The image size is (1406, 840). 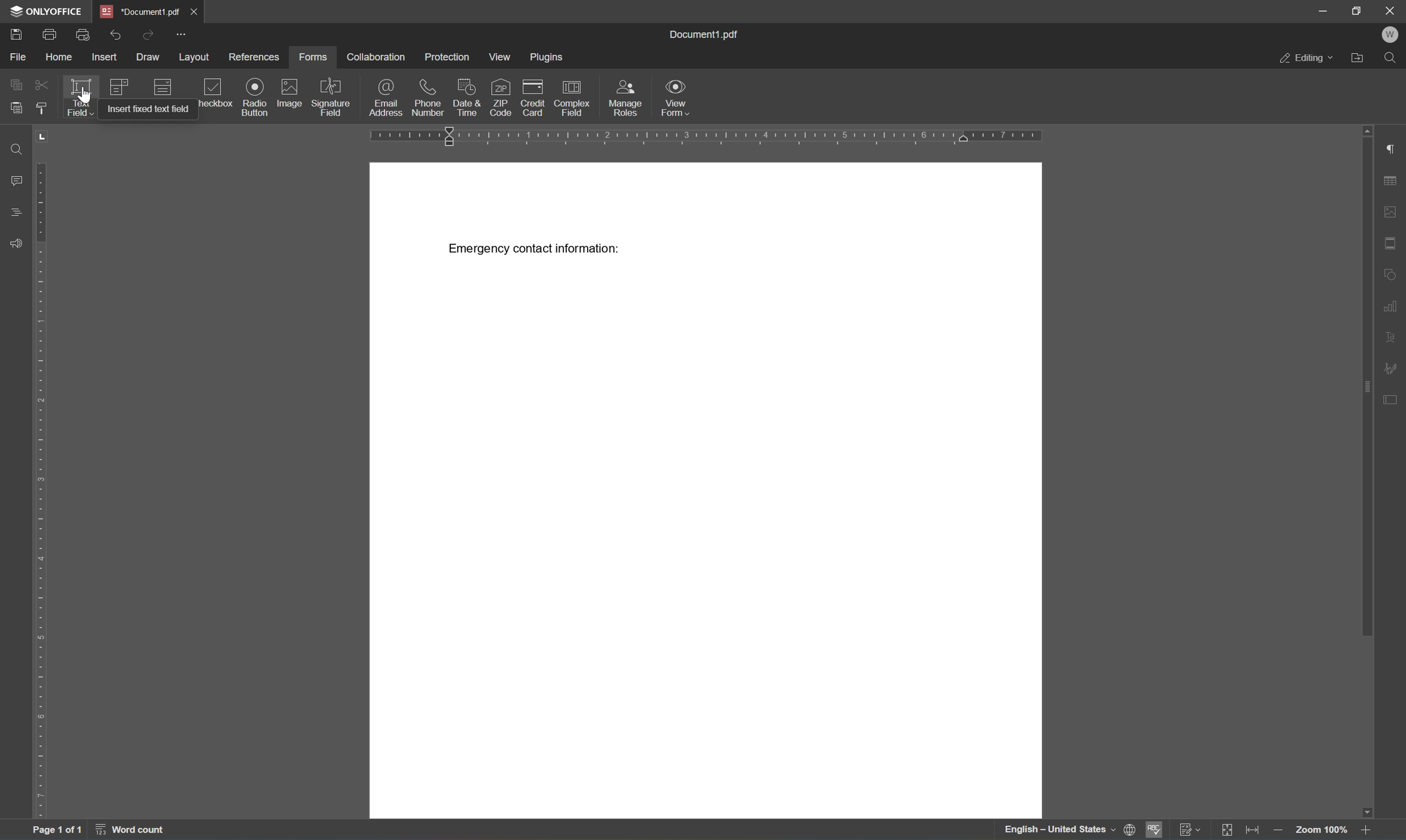 I want to click on editing, so click(x=1304, y=59).